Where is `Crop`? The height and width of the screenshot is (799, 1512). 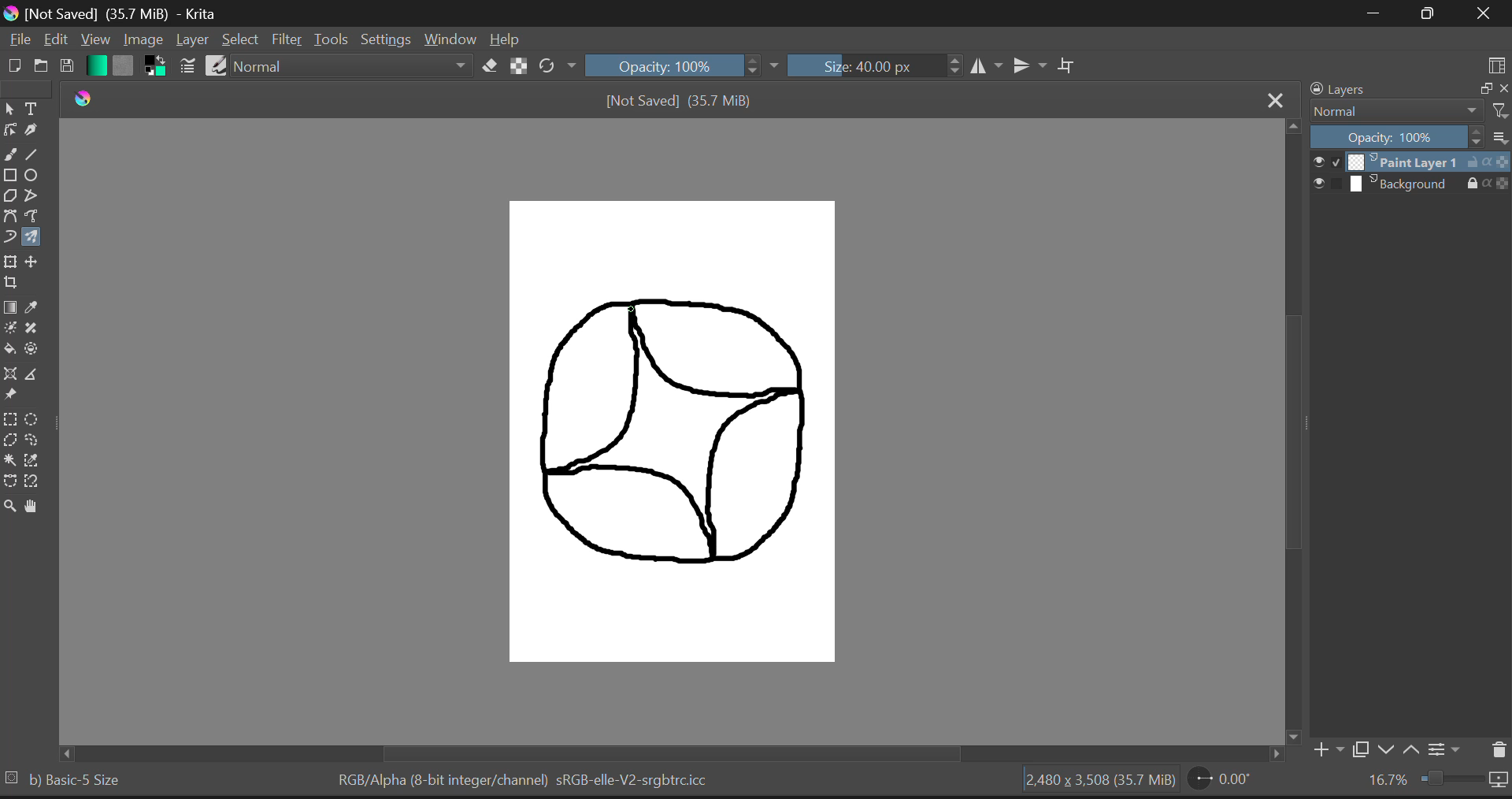 Crop is located at coordinates (1069, 65).